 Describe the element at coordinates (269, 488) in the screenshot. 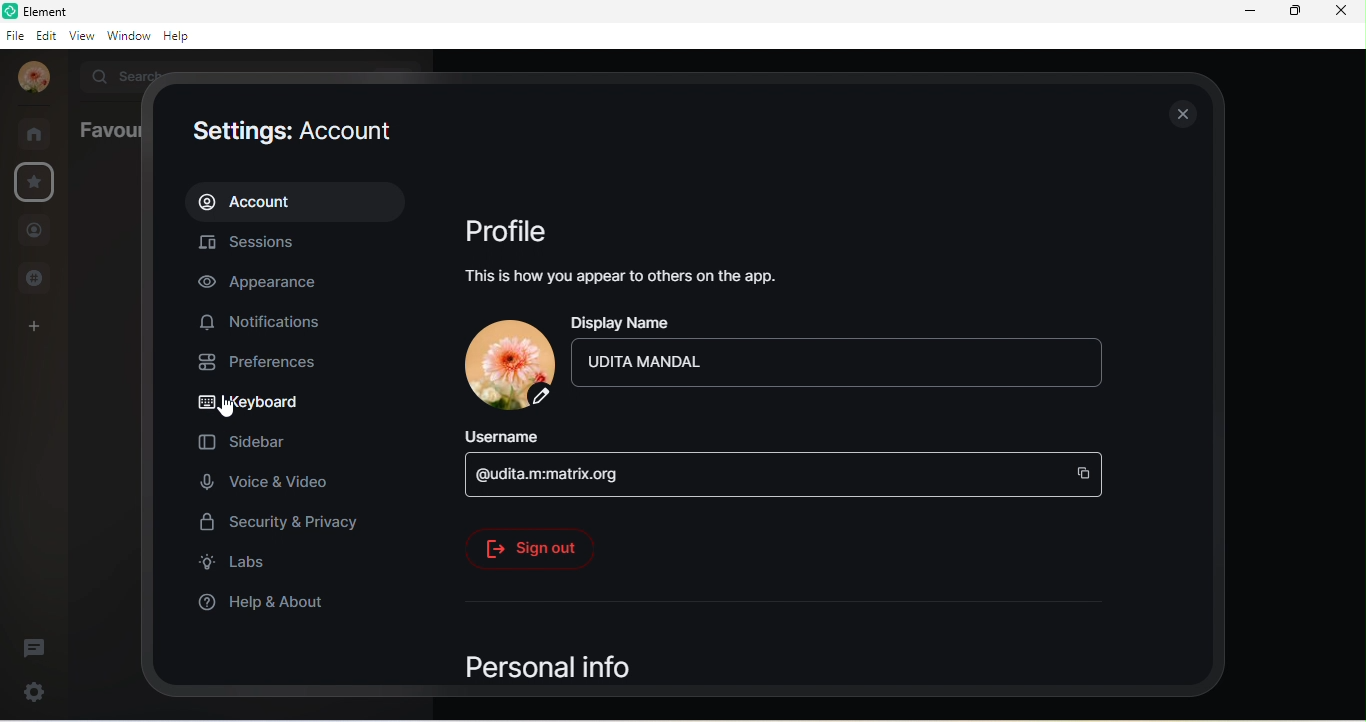

I see `voice and video` at that location.